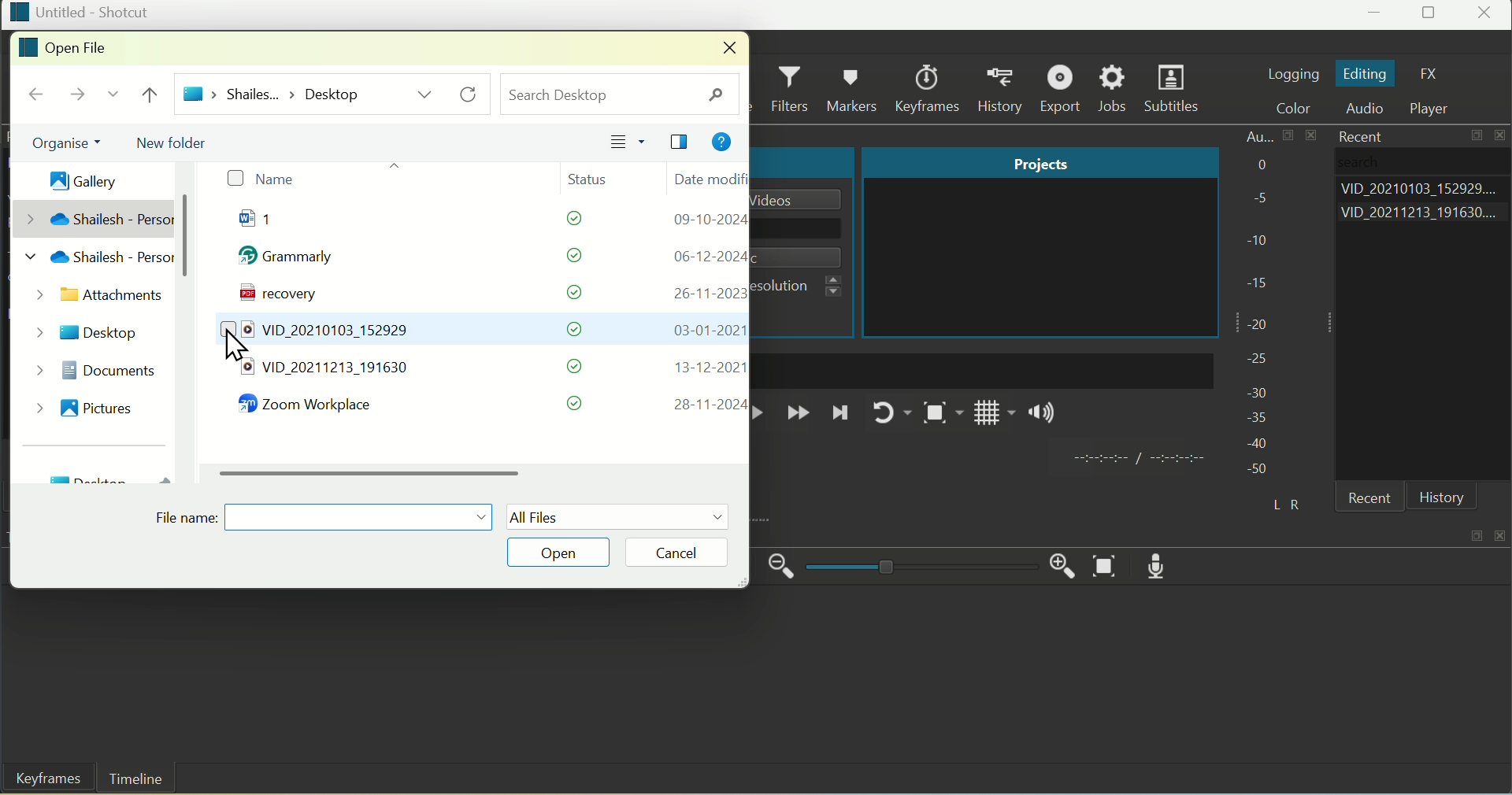 The height and width of the screenshot is (795, 1512). Describe the element at coordinates (1114, 89) in the screenshot. I see `Jobs` at that location.